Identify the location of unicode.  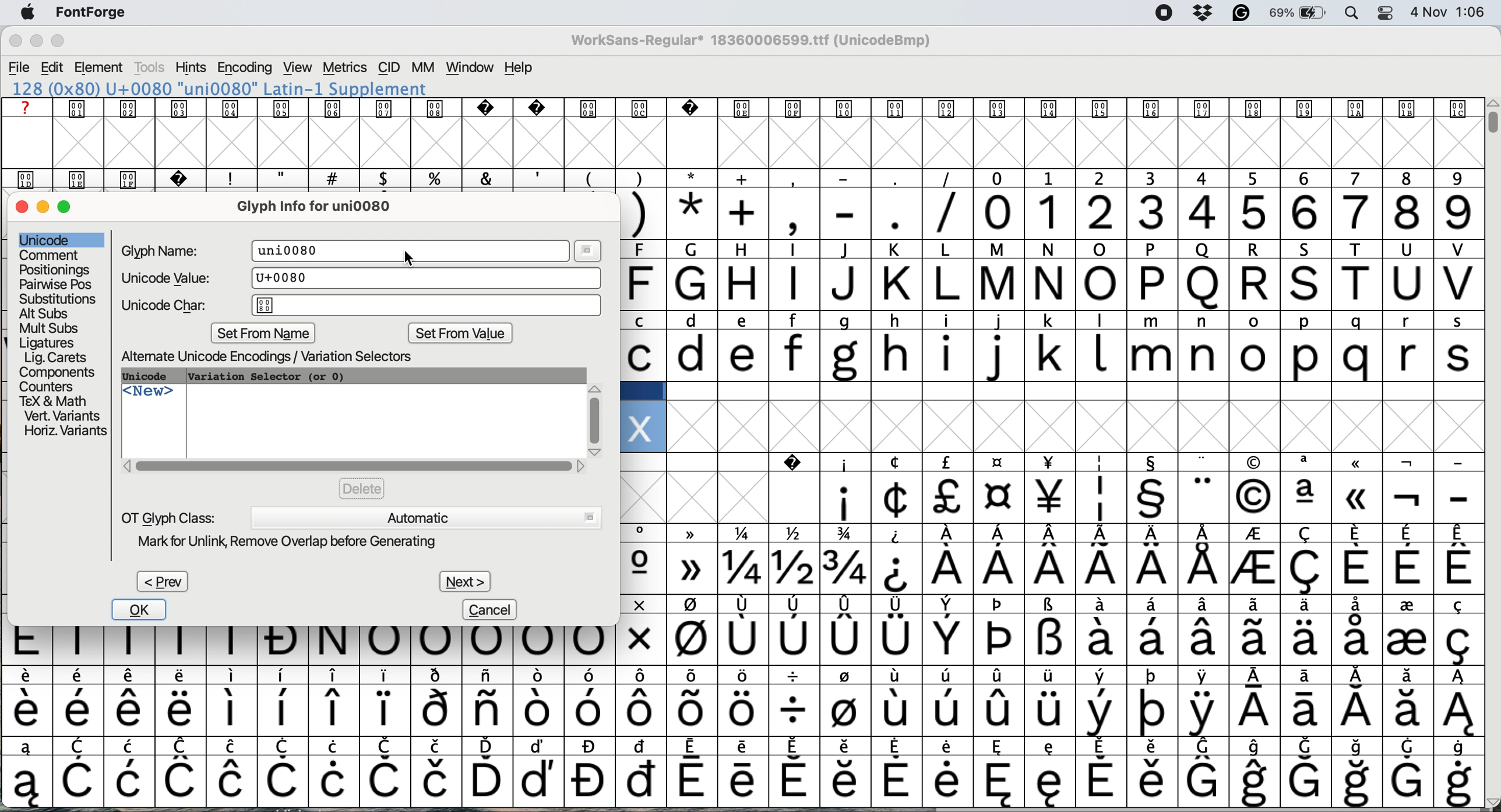
(152, 377).